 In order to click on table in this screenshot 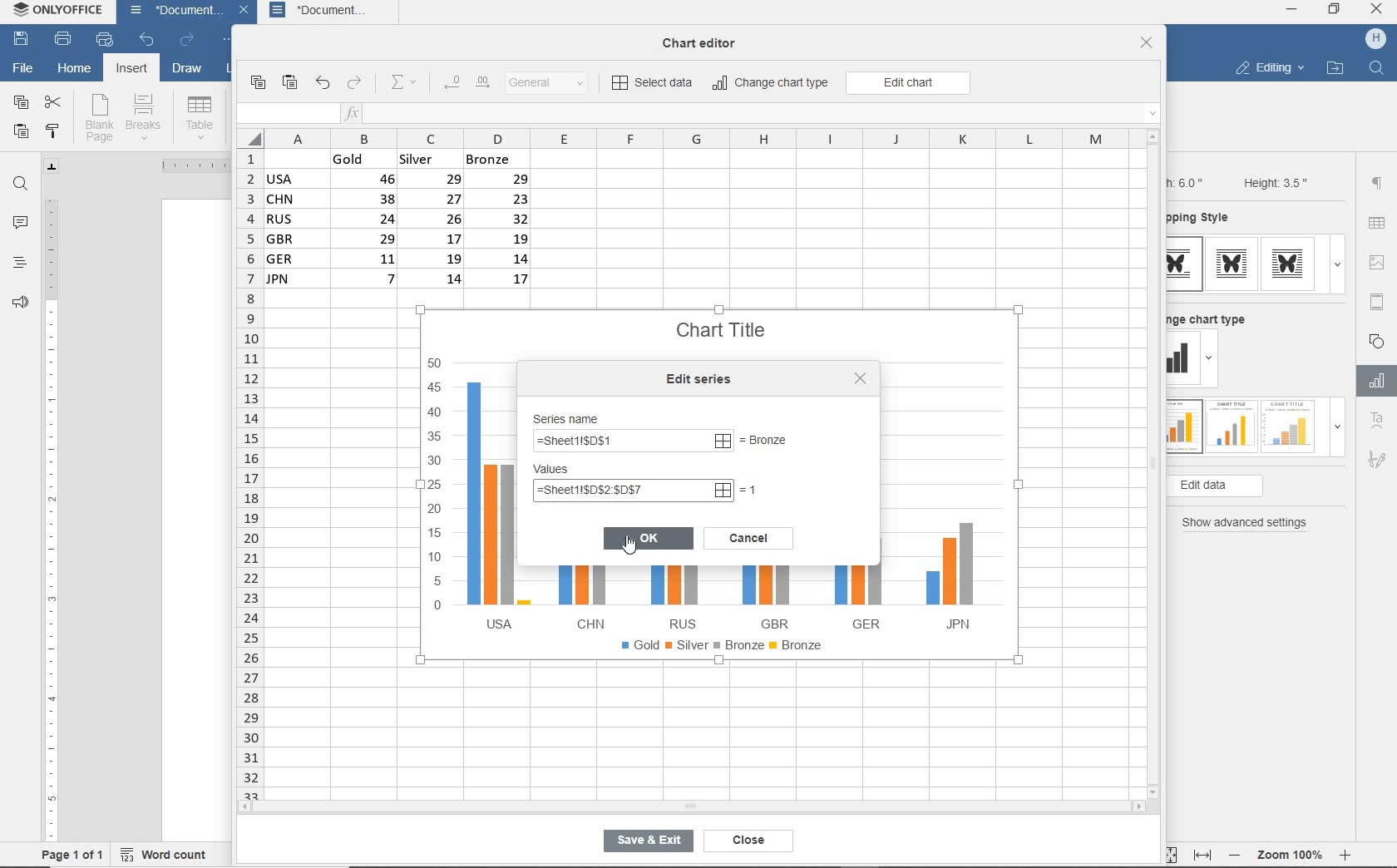, I will do `click(1378, 224)`.